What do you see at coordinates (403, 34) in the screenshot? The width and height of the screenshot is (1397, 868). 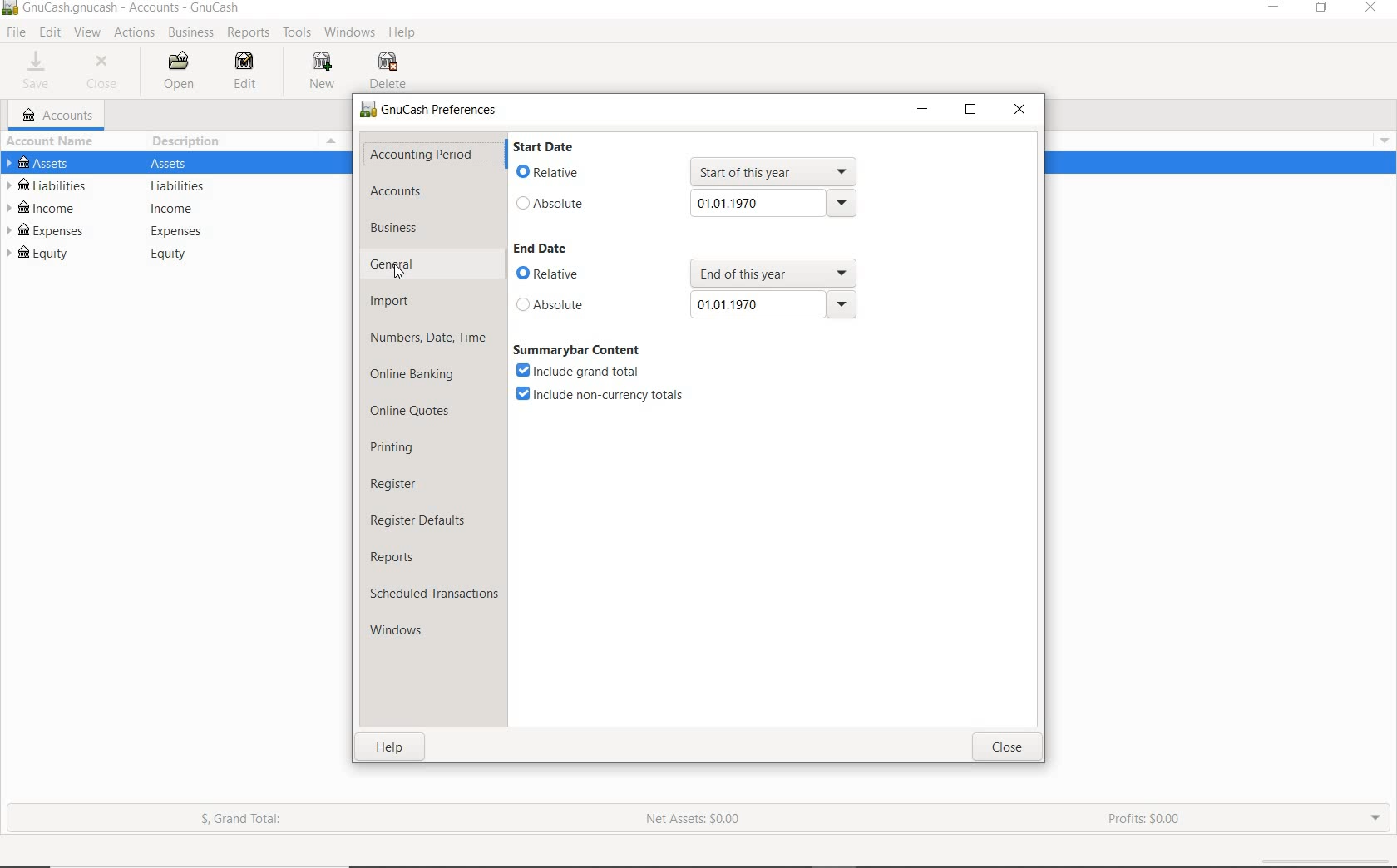 I see `HELP` at bounding box center [403, 34].